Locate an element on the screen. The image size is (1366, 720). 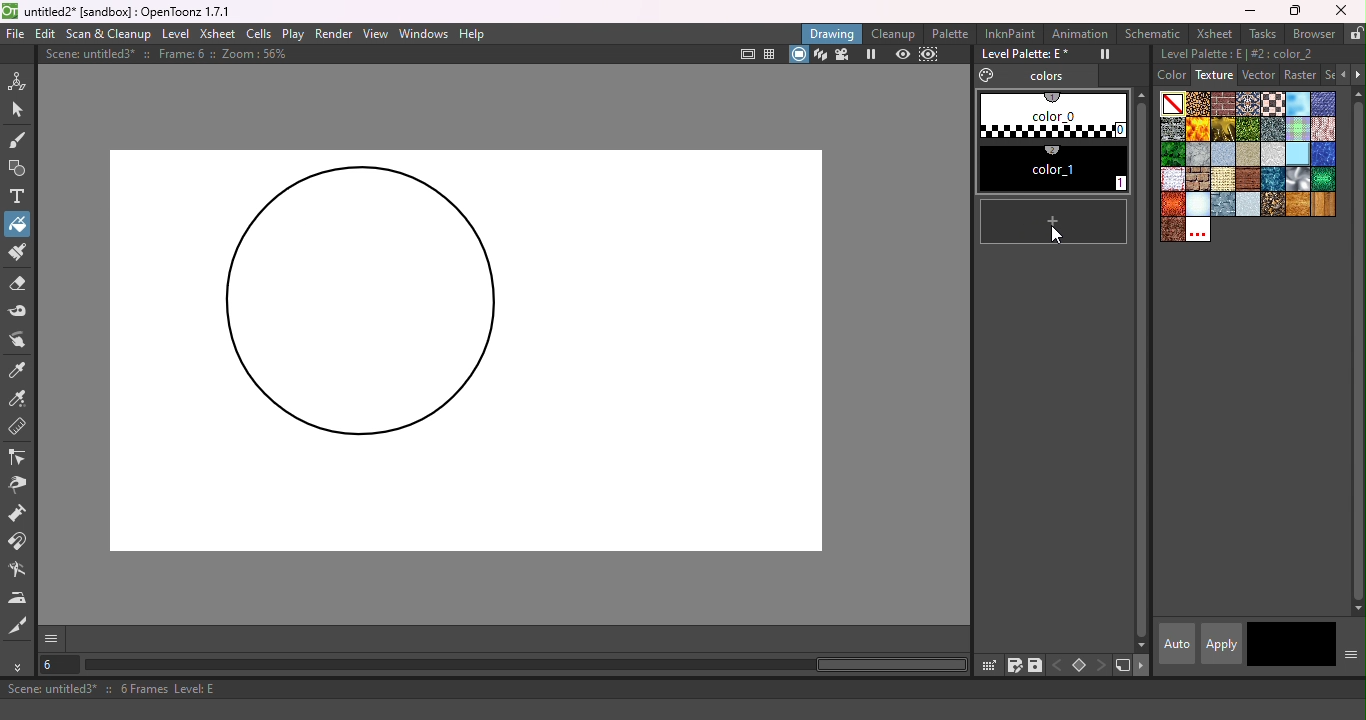
Current style is located at coordinates (1265, 644).